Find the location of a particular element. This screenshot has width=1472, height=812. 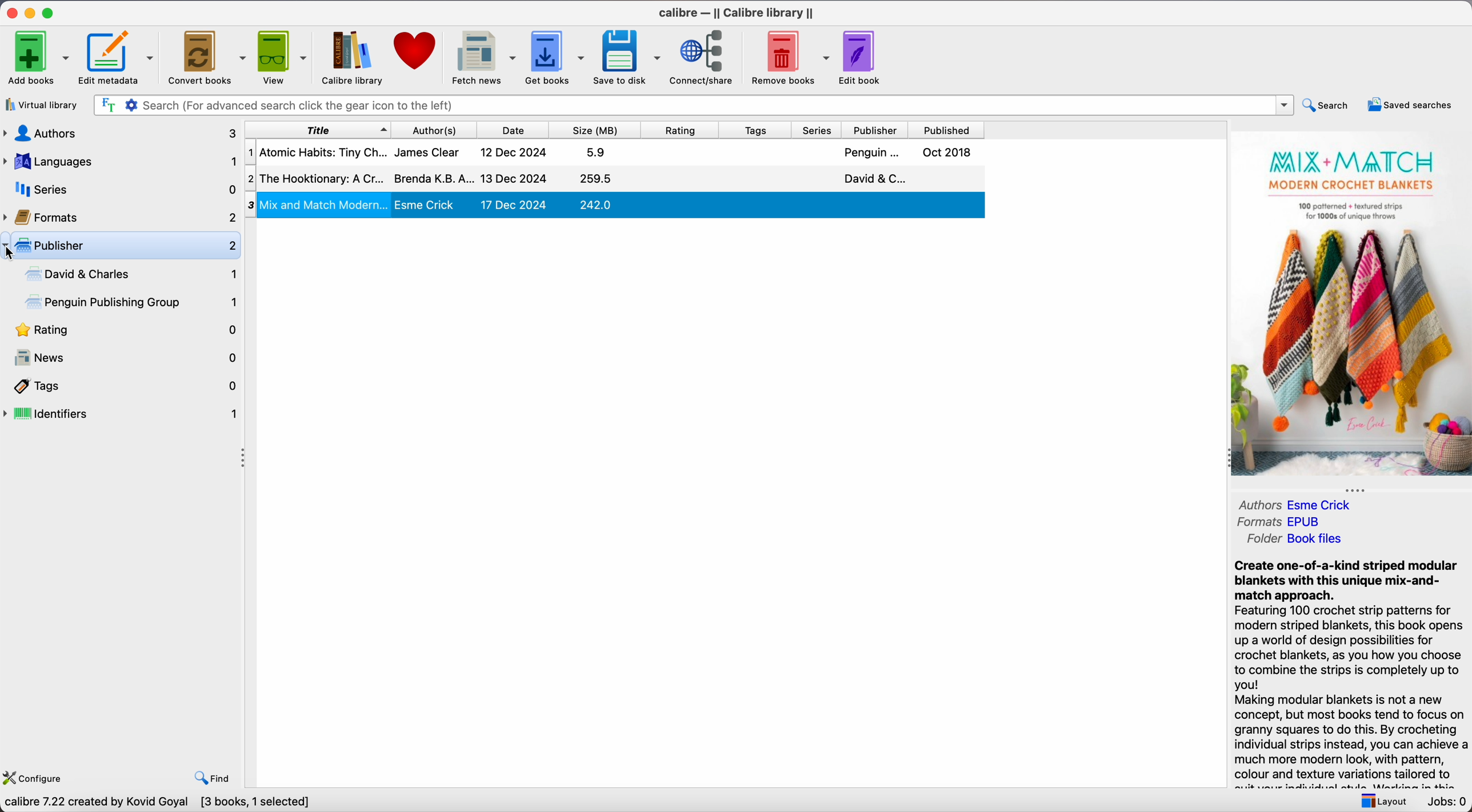

configure is located at coordinates (38, 776).